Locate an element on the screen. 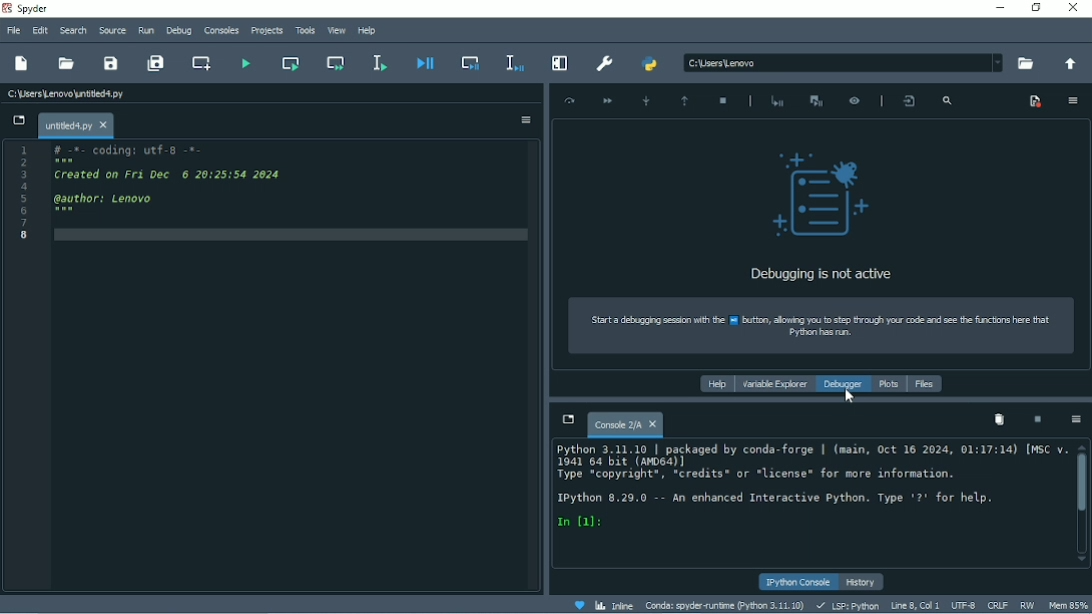 The height and width of the screenshot is (614, 1092). CRLF is located at coordinates (997, 606).